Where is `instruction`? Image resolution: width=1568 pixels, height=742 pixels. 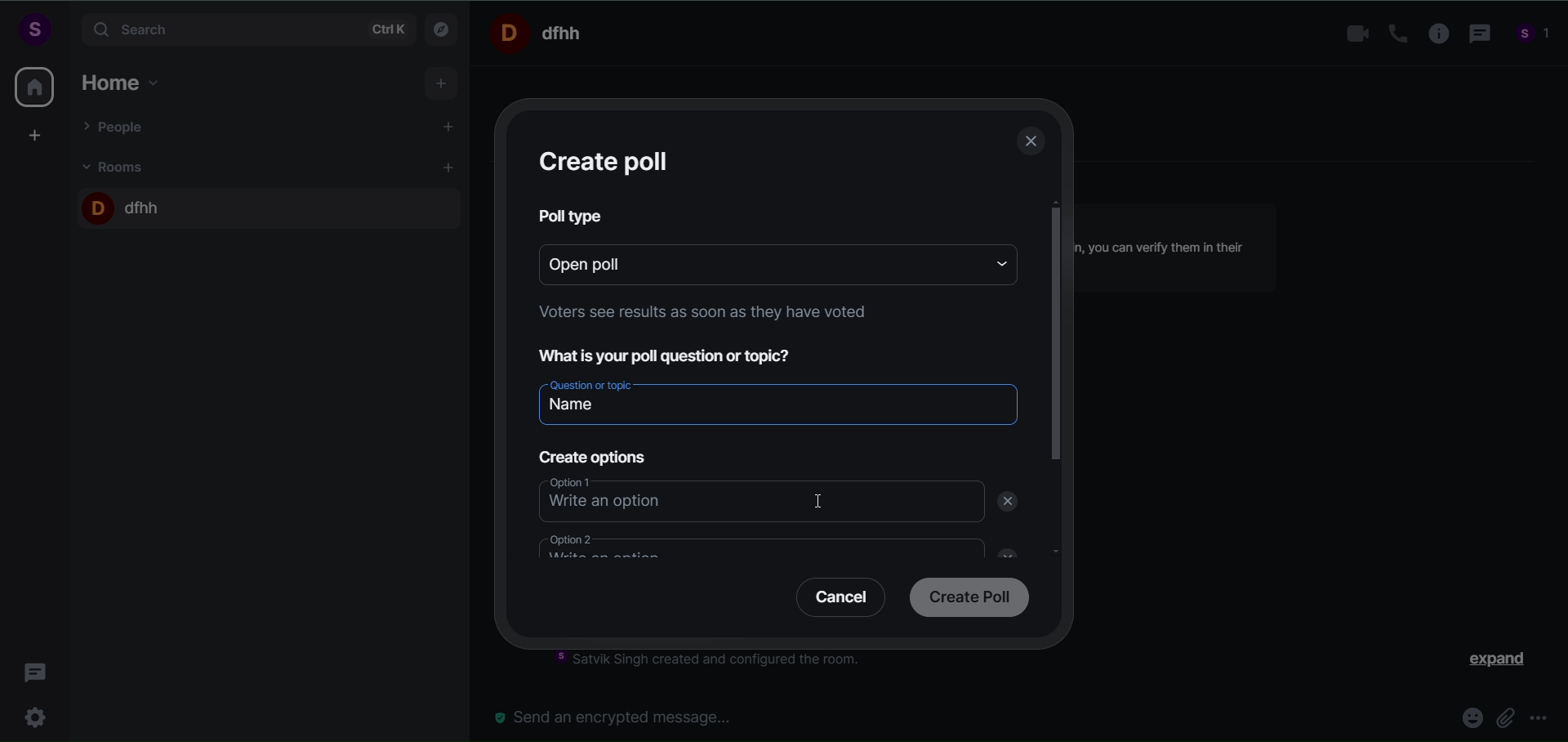 instruction is located at coordinates (719, 662).